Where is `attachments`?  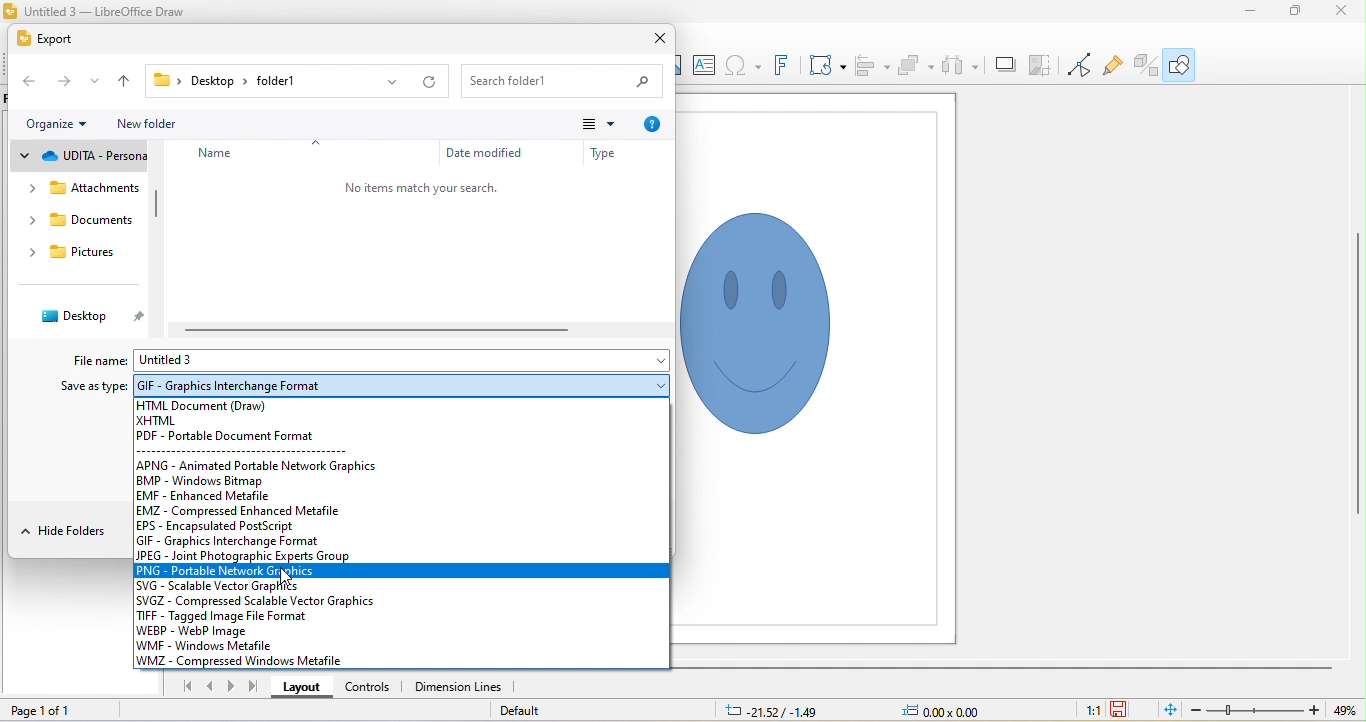 attachments is located at coordinates (96, 188).